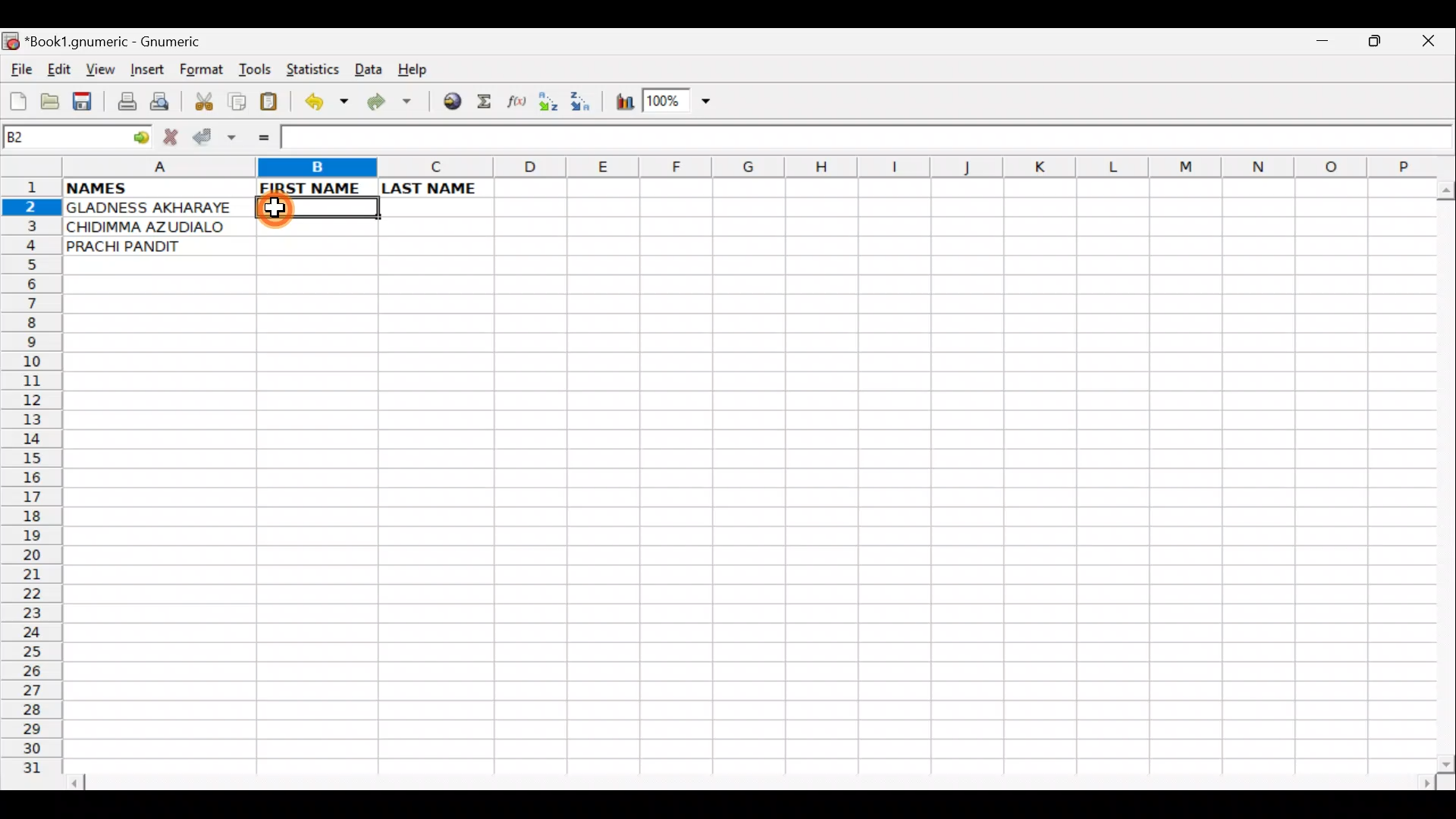 The width and height of the screenshot is (1456, 819). I want to click on Formula bar, so click(868, 140).